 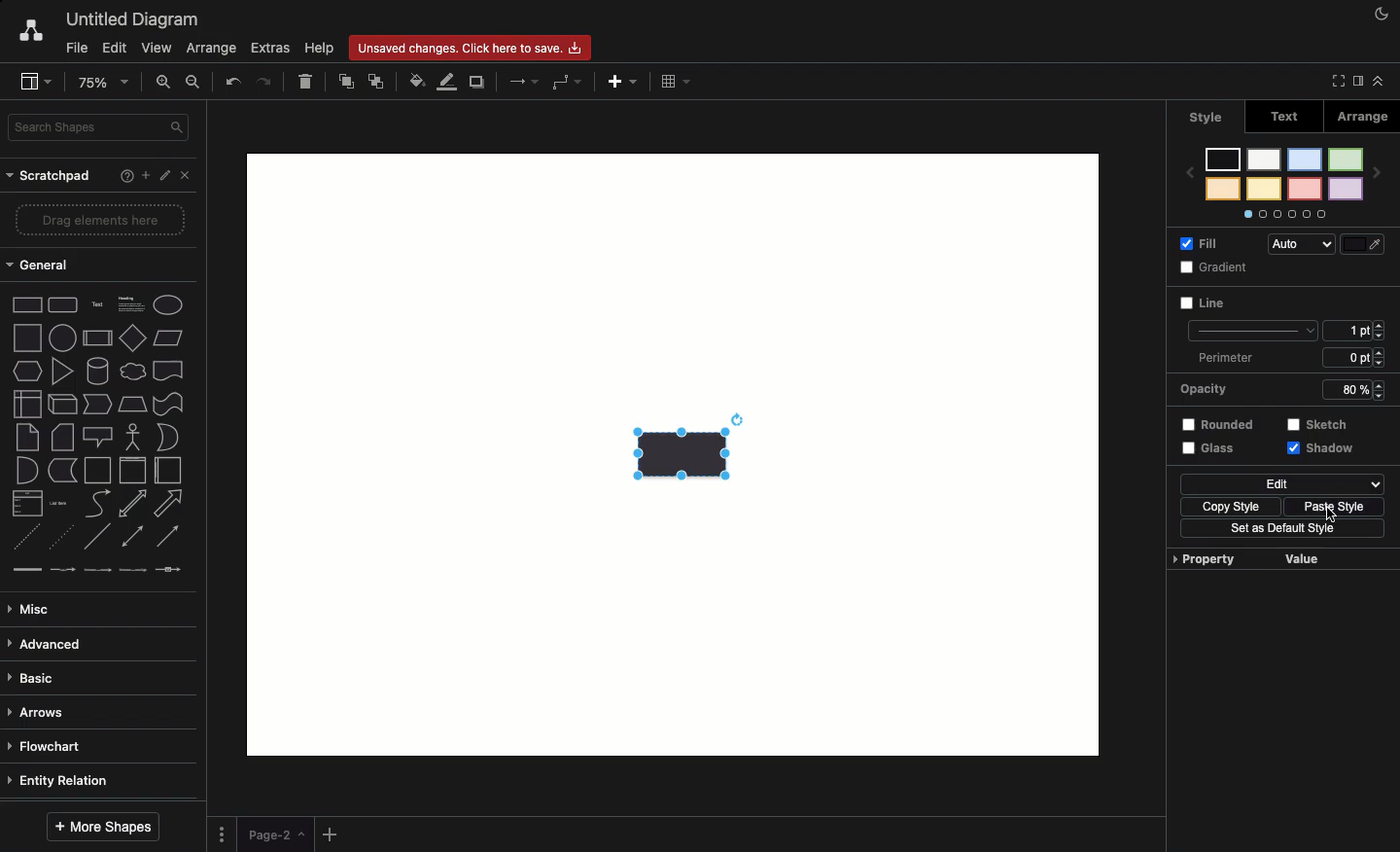 What do you see at coordinates (168, 304) in the screenshot?
I see `Eclipse` at bounding box center [168, 304].